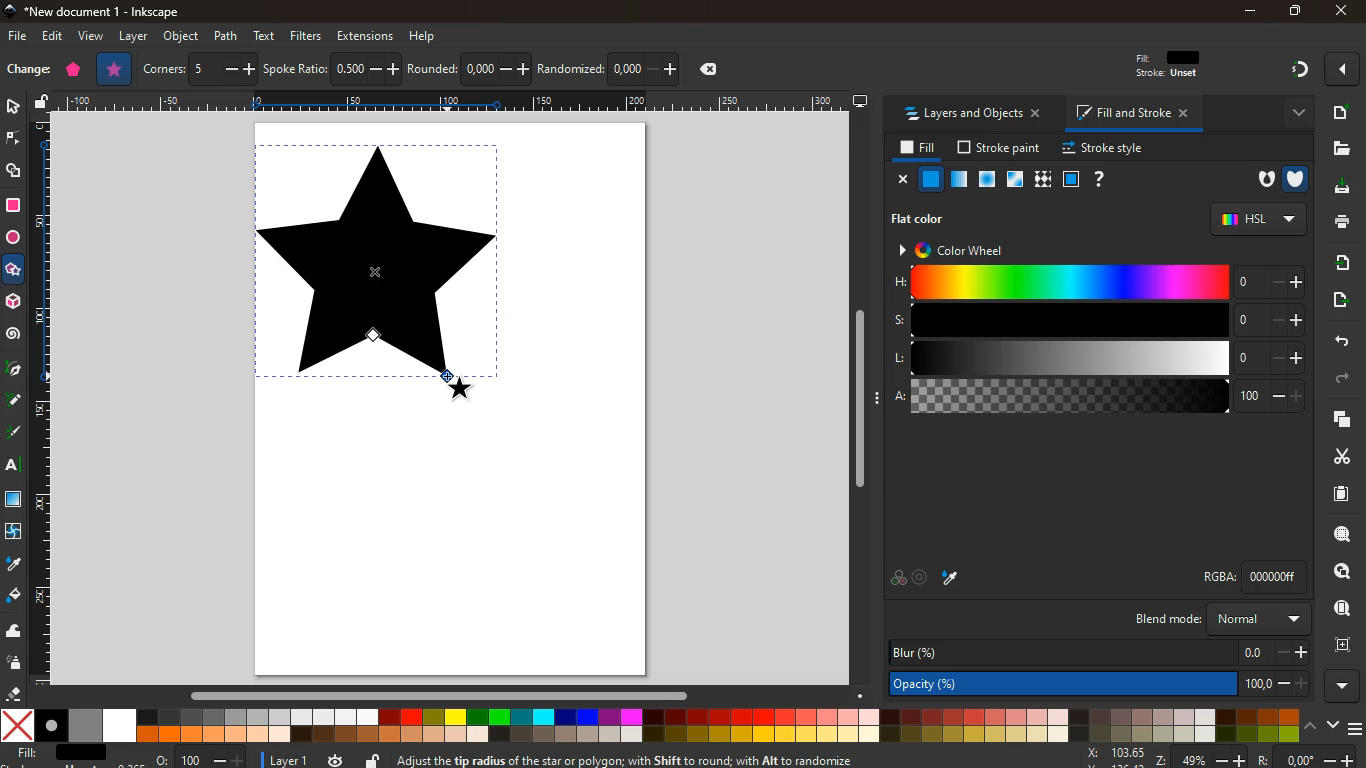 This screenshot has height=768, width=1366. I want to click on extensions, so click(365, 35).